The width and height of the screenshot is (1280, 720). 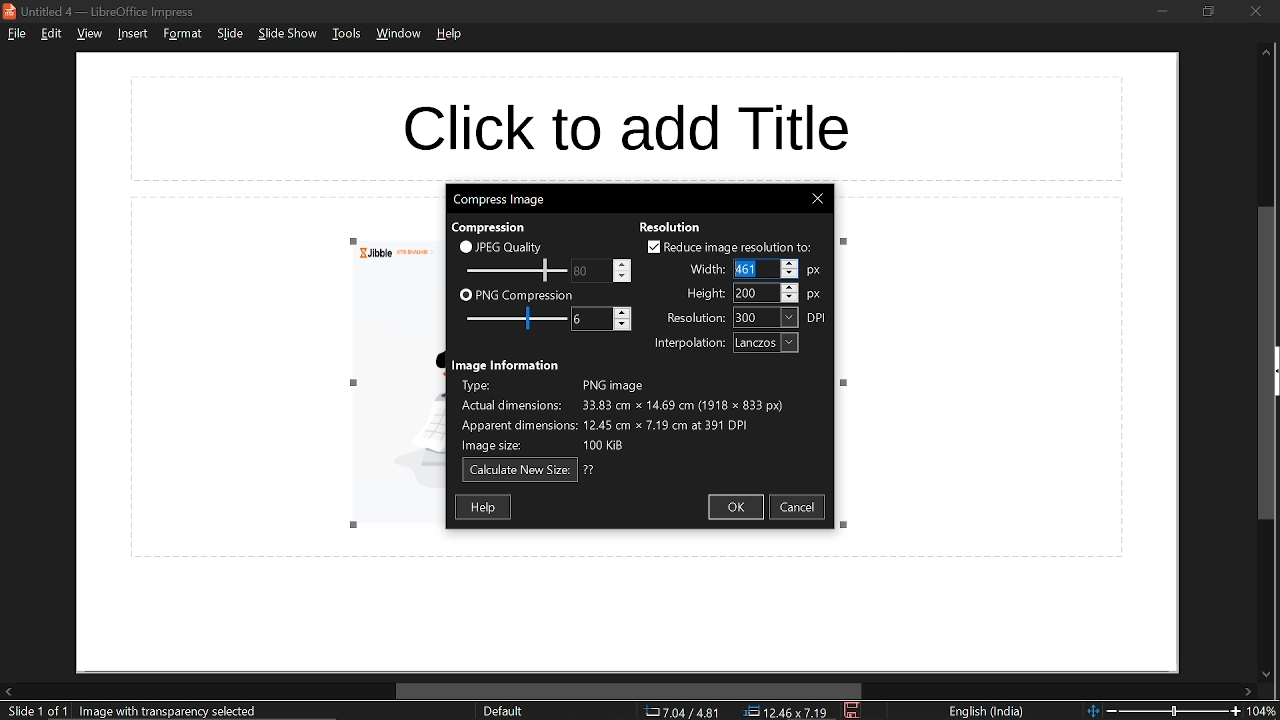 What do you see at coordinates (397, 36) in the screenshot?
I see `window` at bounding box center [397, 36].